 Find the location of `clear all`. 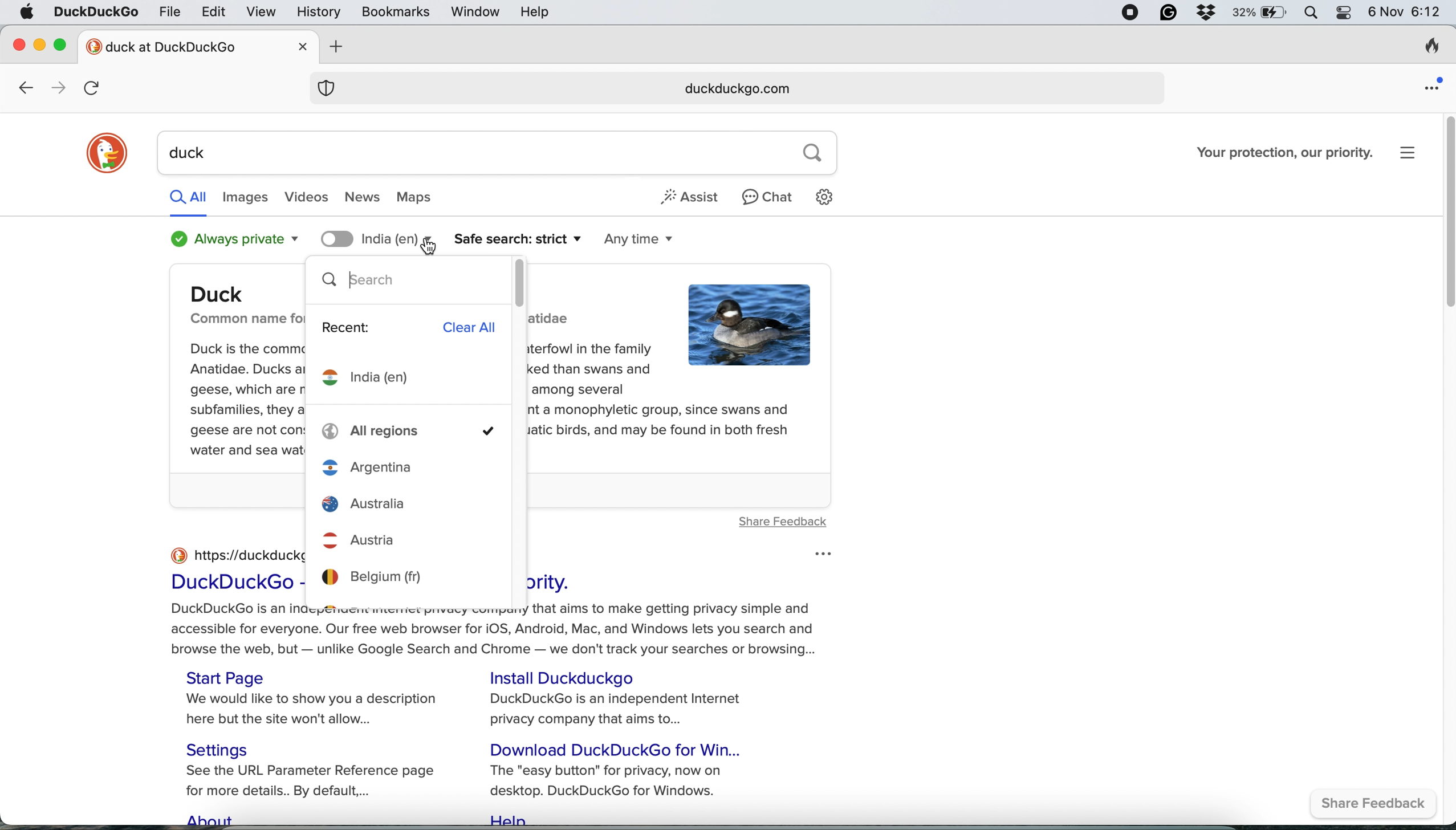

clear all is located at coordinates (475, 326).